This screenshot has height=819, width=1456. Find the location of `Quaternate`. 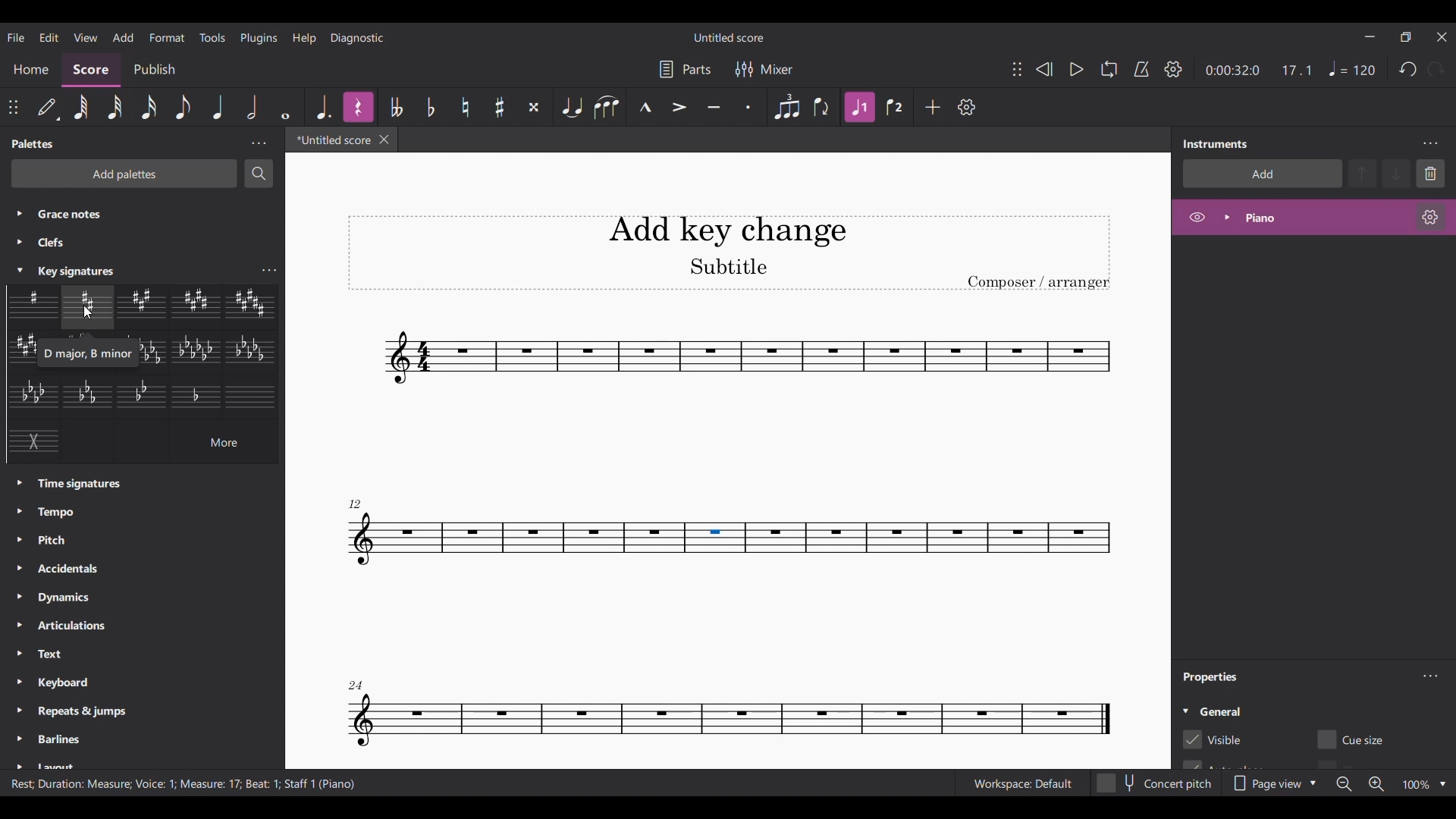

Quaternate is located at coordinates (1352, 69).